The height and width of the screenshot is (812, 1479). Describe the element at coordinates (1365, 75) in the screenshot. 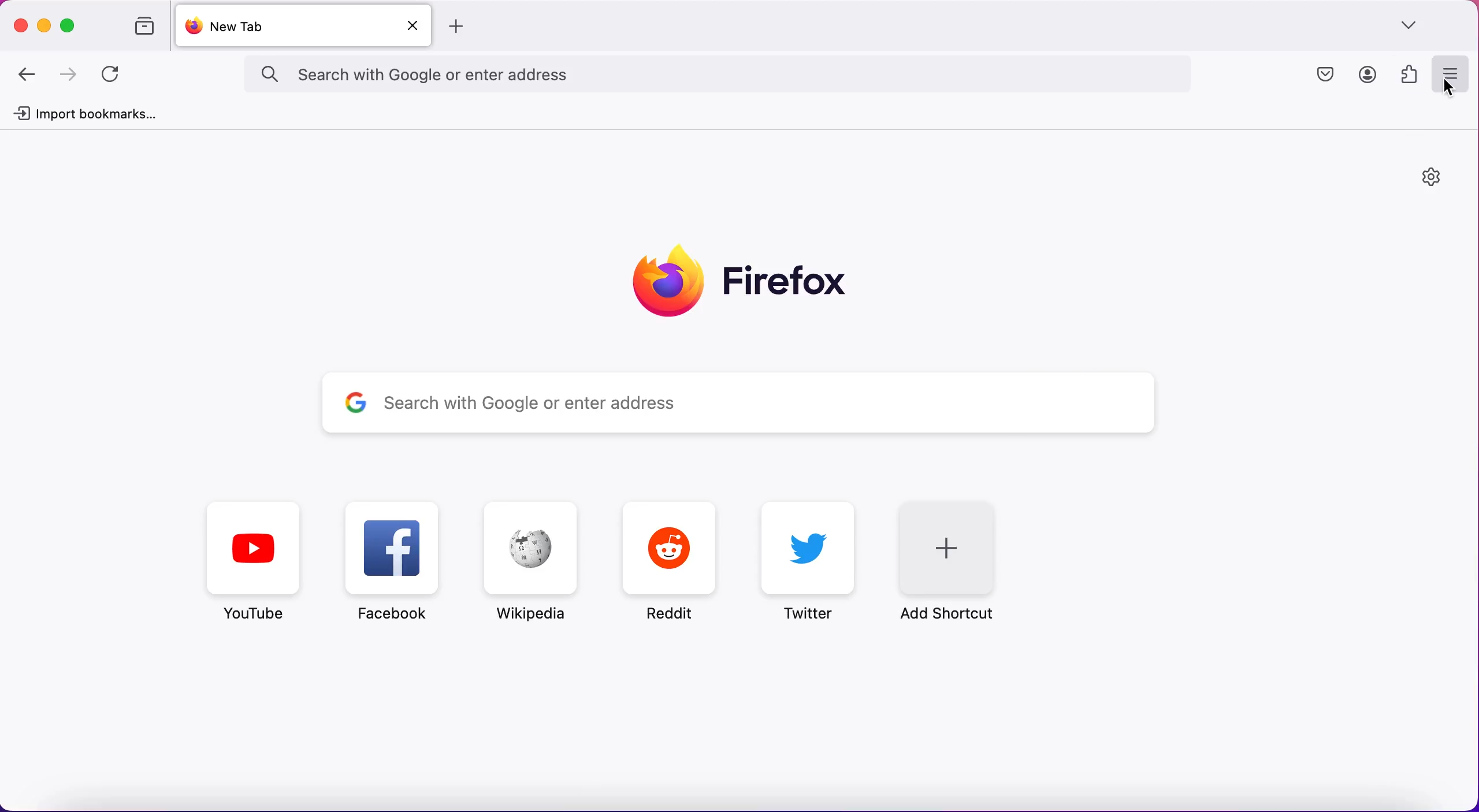

I see `account` at that location.